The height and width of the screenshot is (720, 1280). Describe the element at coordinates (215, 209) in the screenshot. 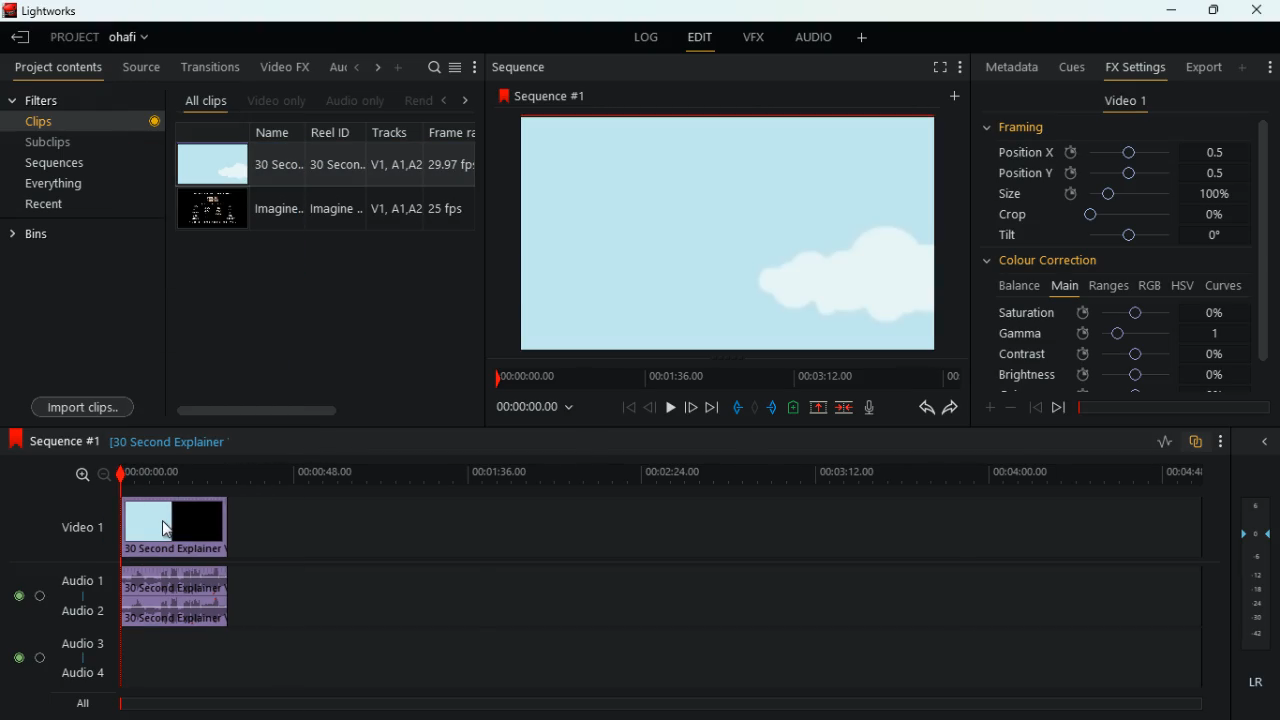

I see `video` at that location.